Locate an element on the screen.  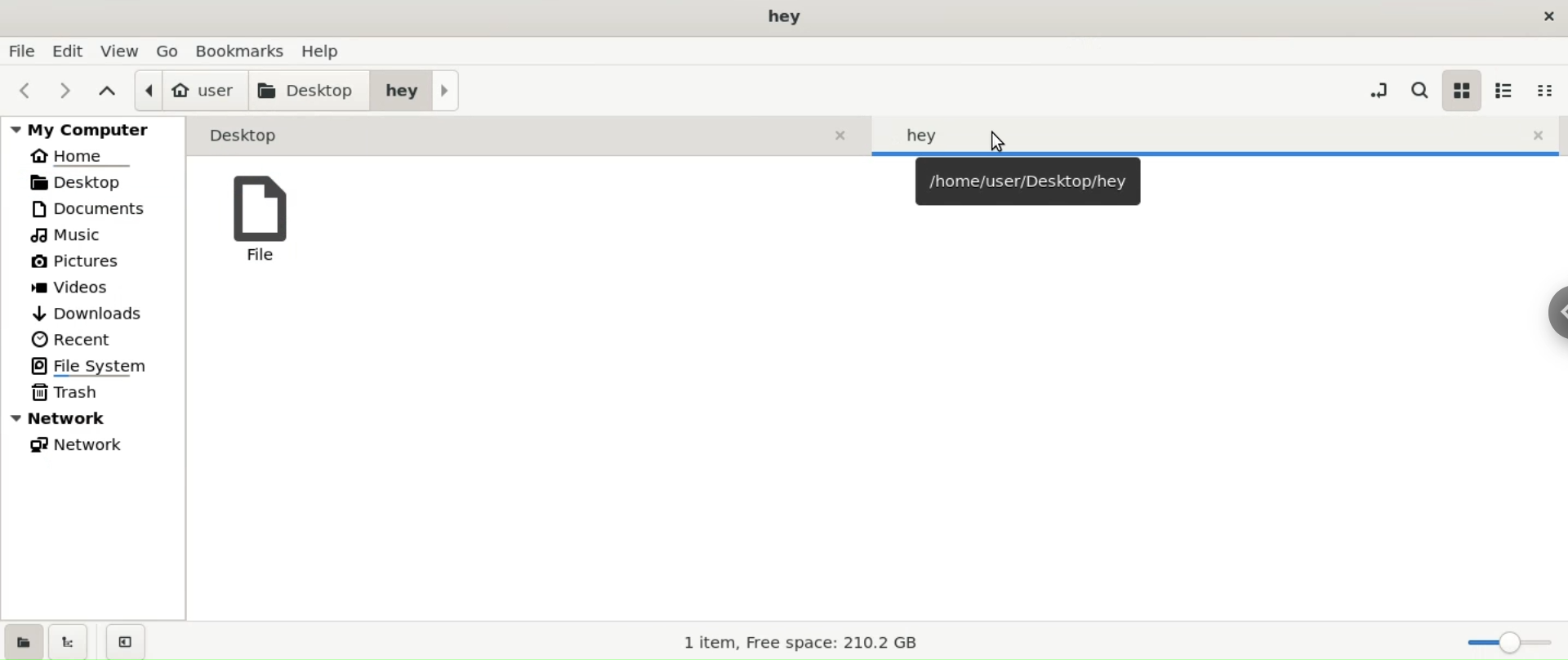
file is located at coordinates (265, 223).